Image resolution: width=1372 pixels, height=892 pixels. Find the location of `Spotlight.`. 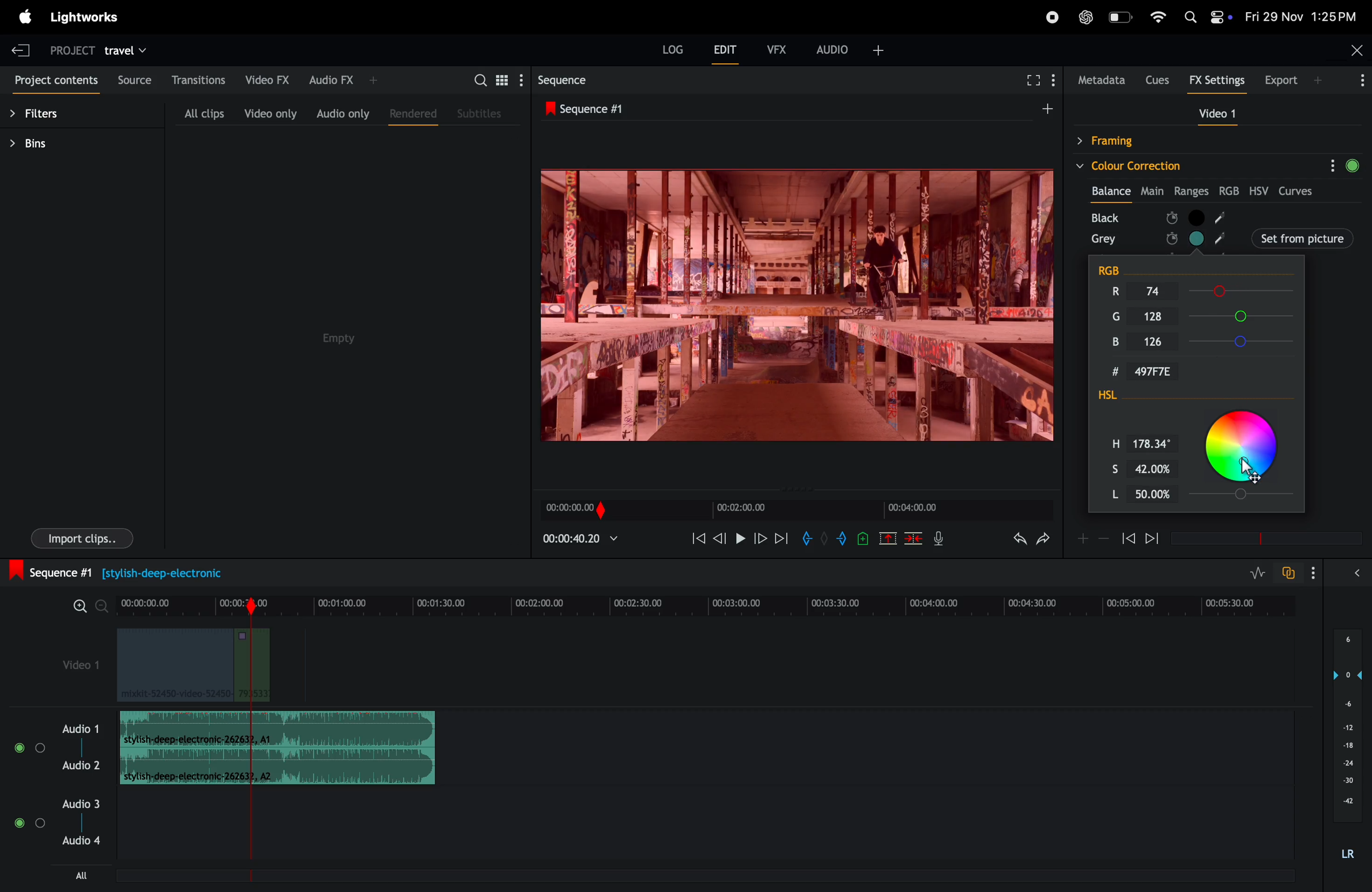

Spotlight. is located at coordinates (1192, 17).